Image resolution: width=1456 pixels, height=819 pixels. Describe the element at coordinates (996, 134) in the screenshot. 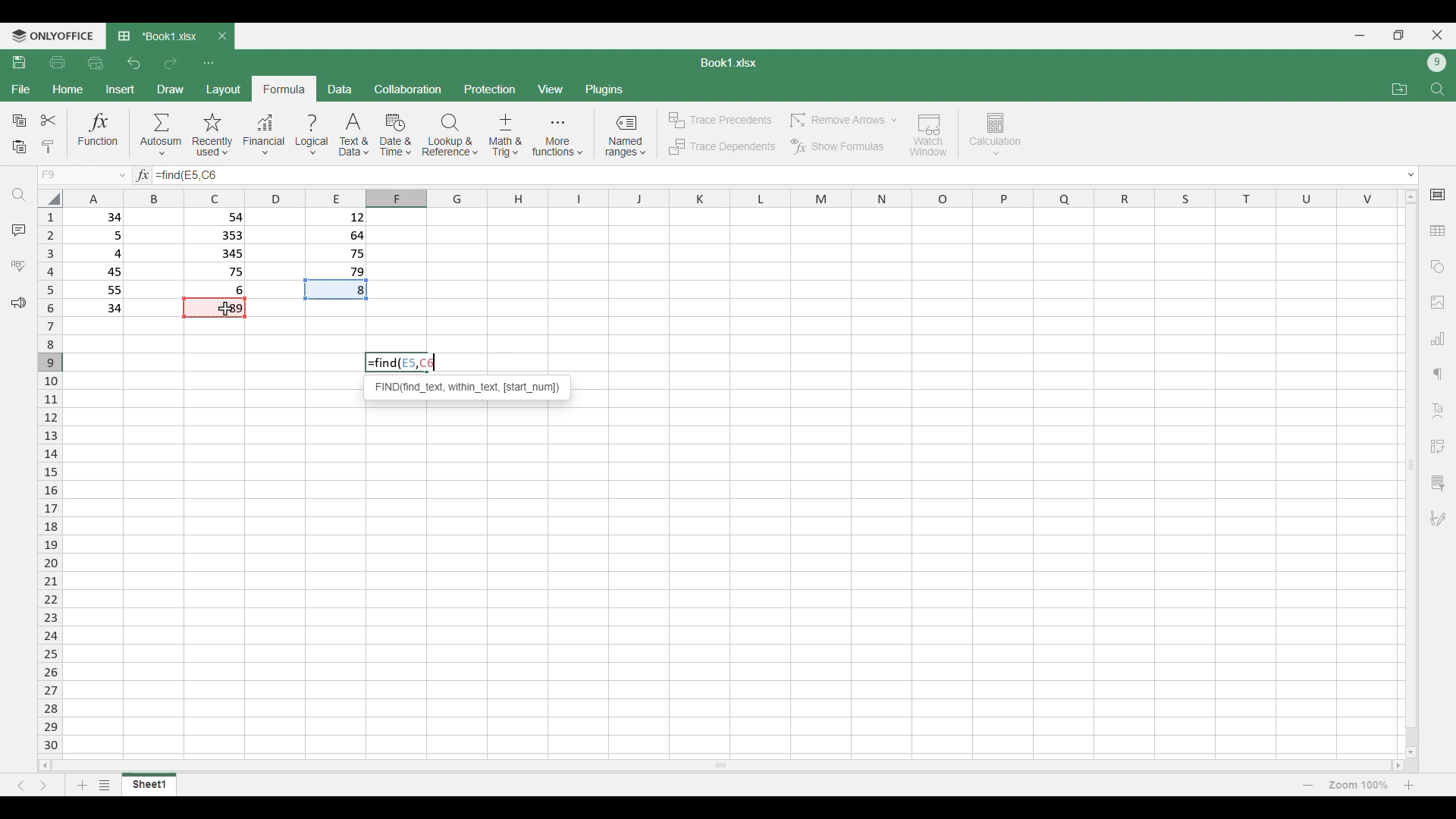

I see `Calculation options` at that location.